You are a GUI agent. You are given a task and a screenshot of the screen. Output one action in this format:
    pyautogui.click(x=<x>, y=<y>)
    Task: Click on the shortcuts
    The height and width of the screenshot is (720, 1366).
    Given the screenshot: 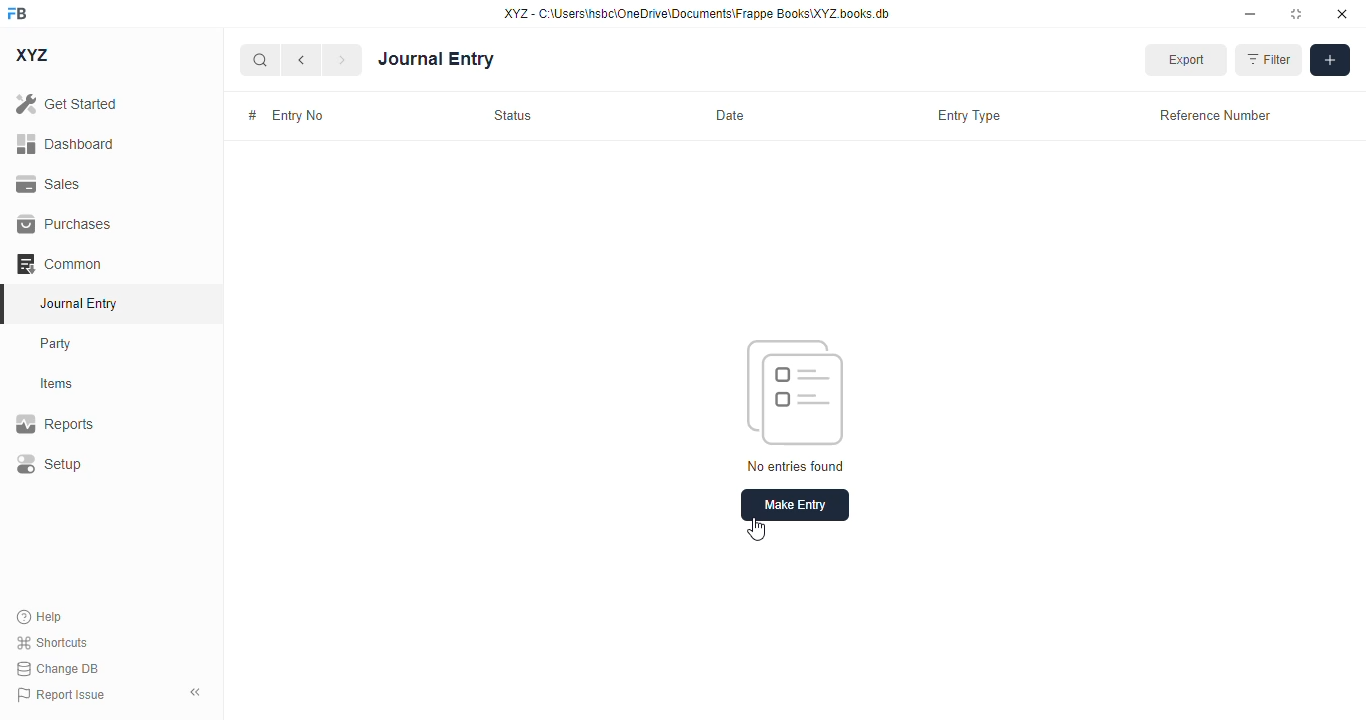 What is the action you would take?
    pyautogui.click(x=51, y=642)
    